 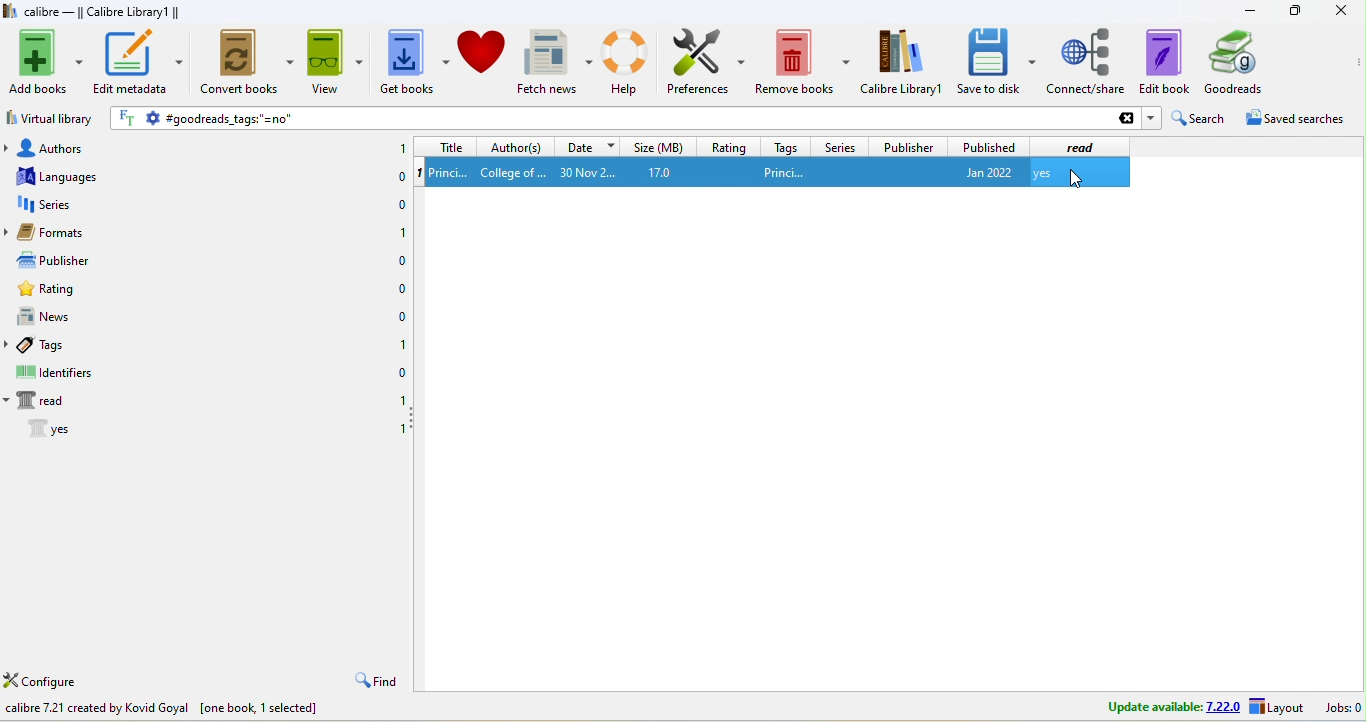 I want to click on 1, so click(x=400, y=343).